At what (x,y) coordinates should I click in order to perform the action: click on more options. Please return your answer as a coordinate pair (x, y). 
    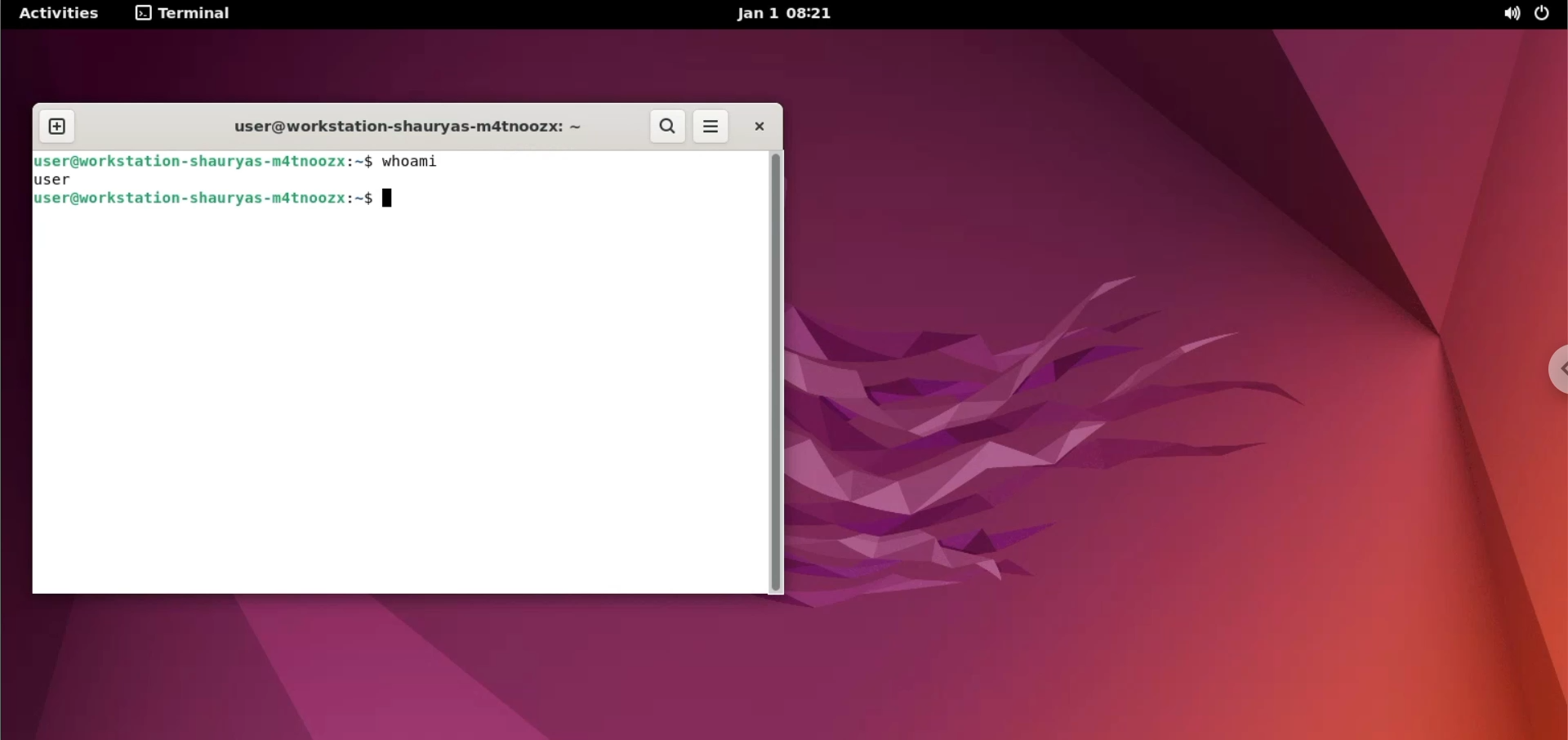
    Looking at the image, I should click on (712, 128).